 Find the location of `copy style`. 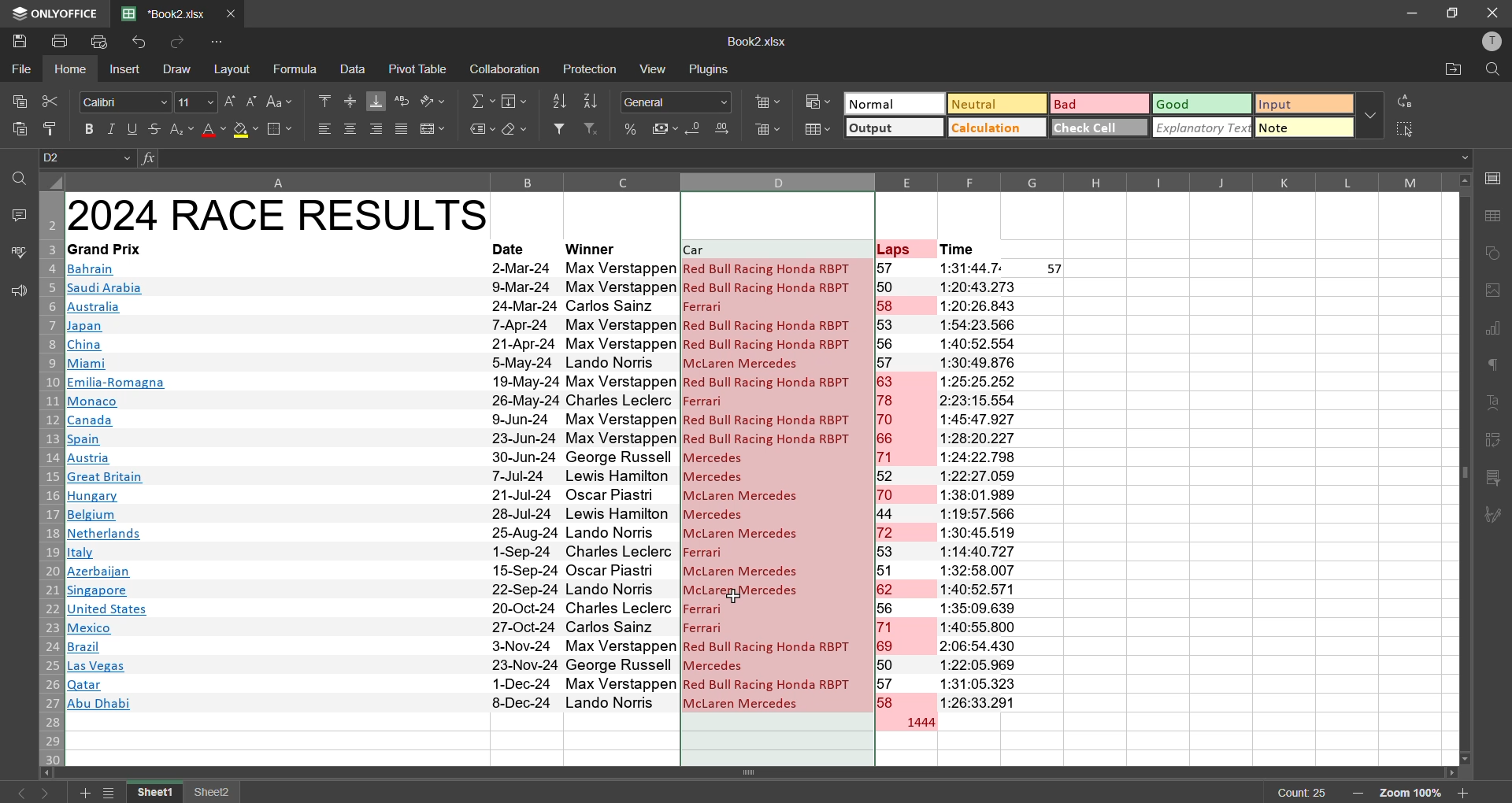

copy style is located at coordinates (56, 129).